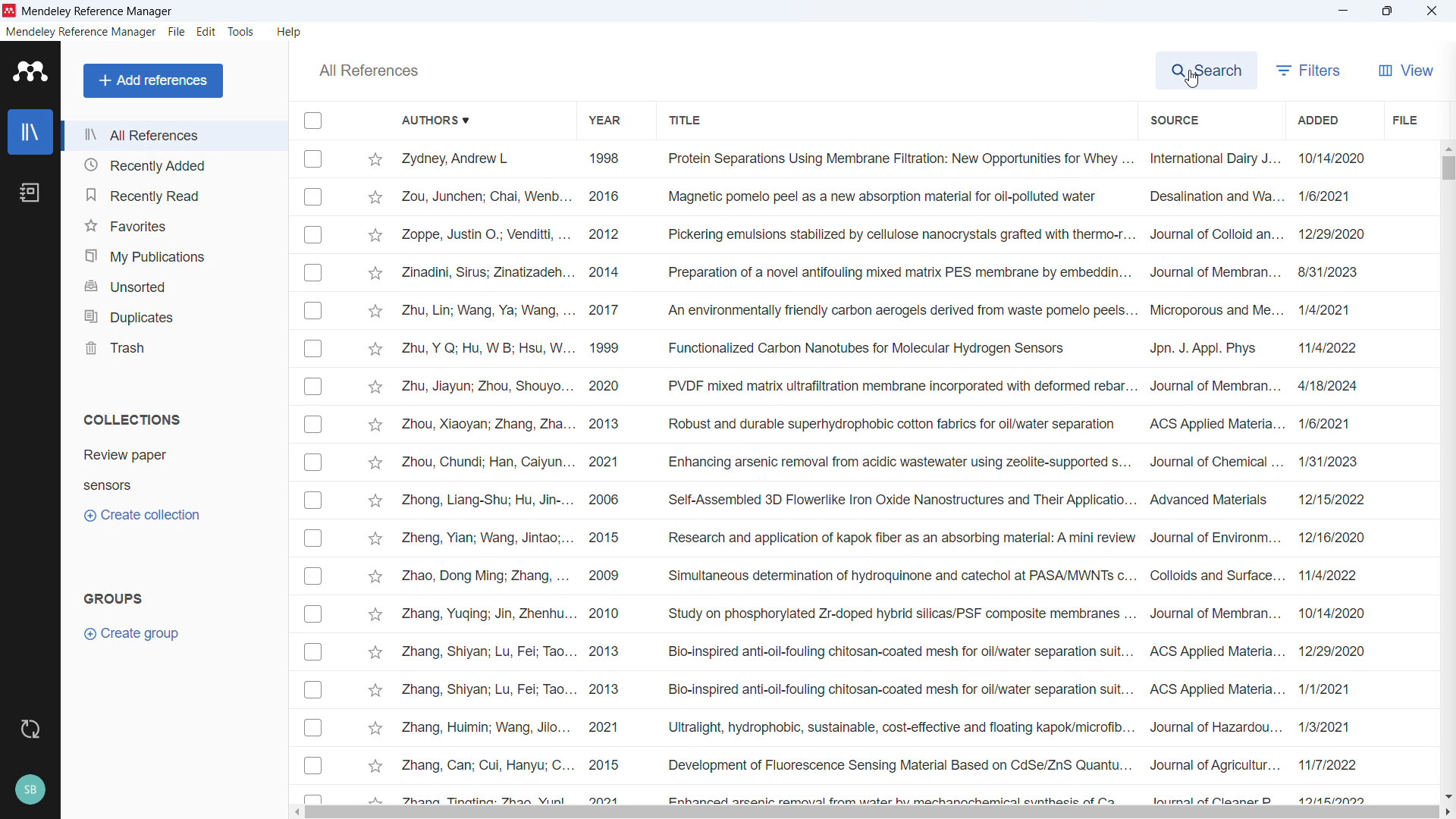 The image size is (1456, 819). Describe the element at coordinates (1174, 121) in the screenshot. I see `Sort by source ` at that location.